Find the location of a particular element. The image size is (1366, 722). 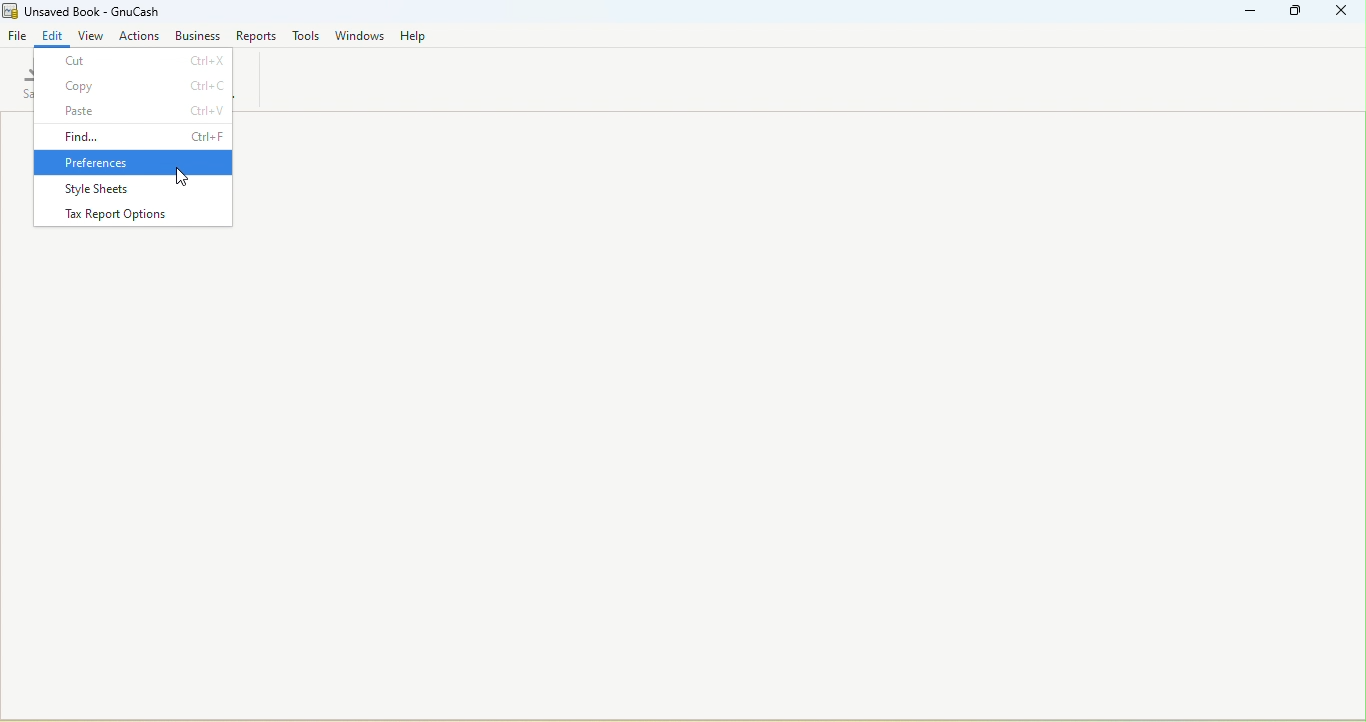

cursor is located at coordinates (179, 177).